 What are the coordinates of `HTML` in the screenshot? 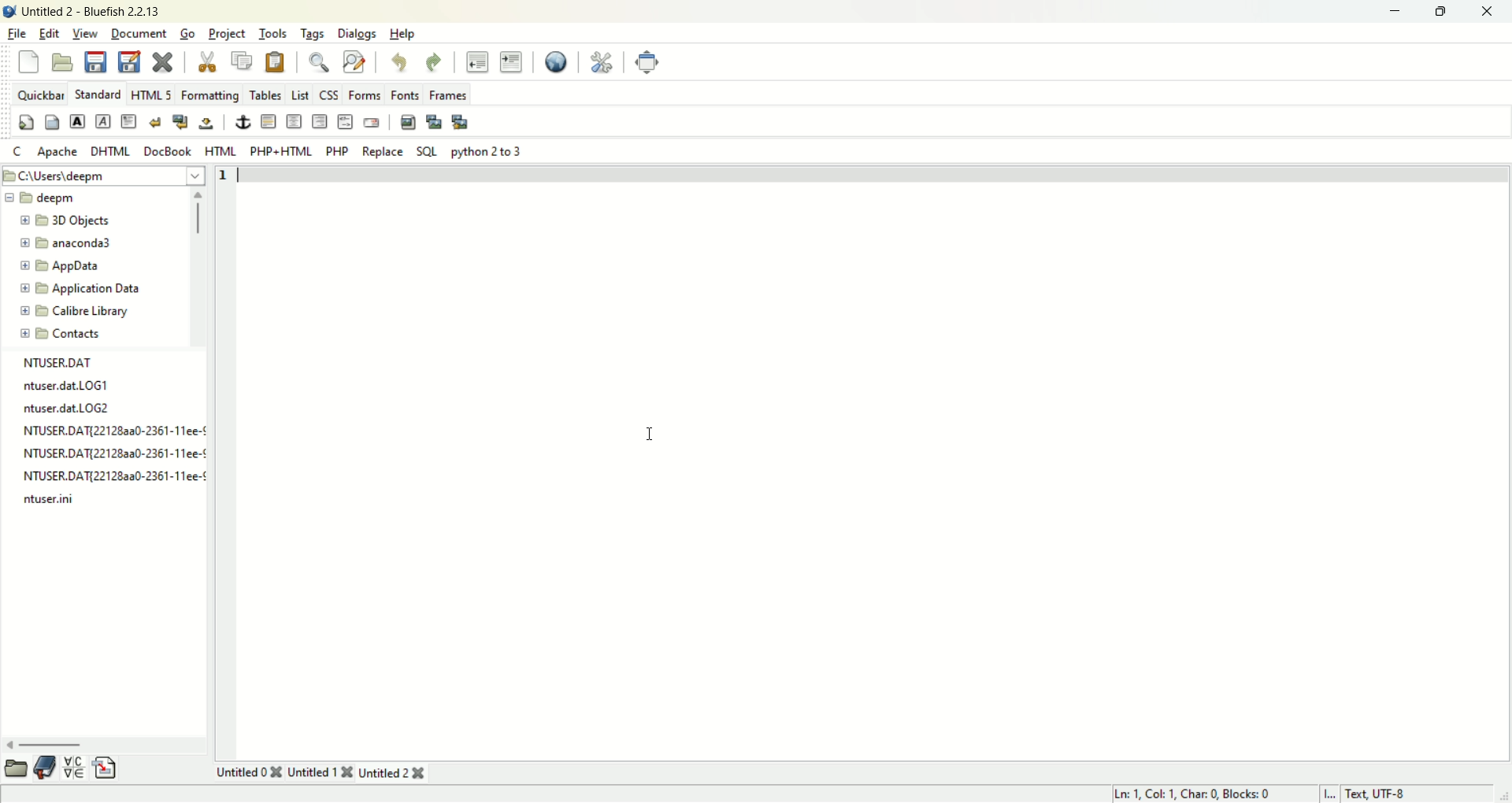 It's located at (220, 150).